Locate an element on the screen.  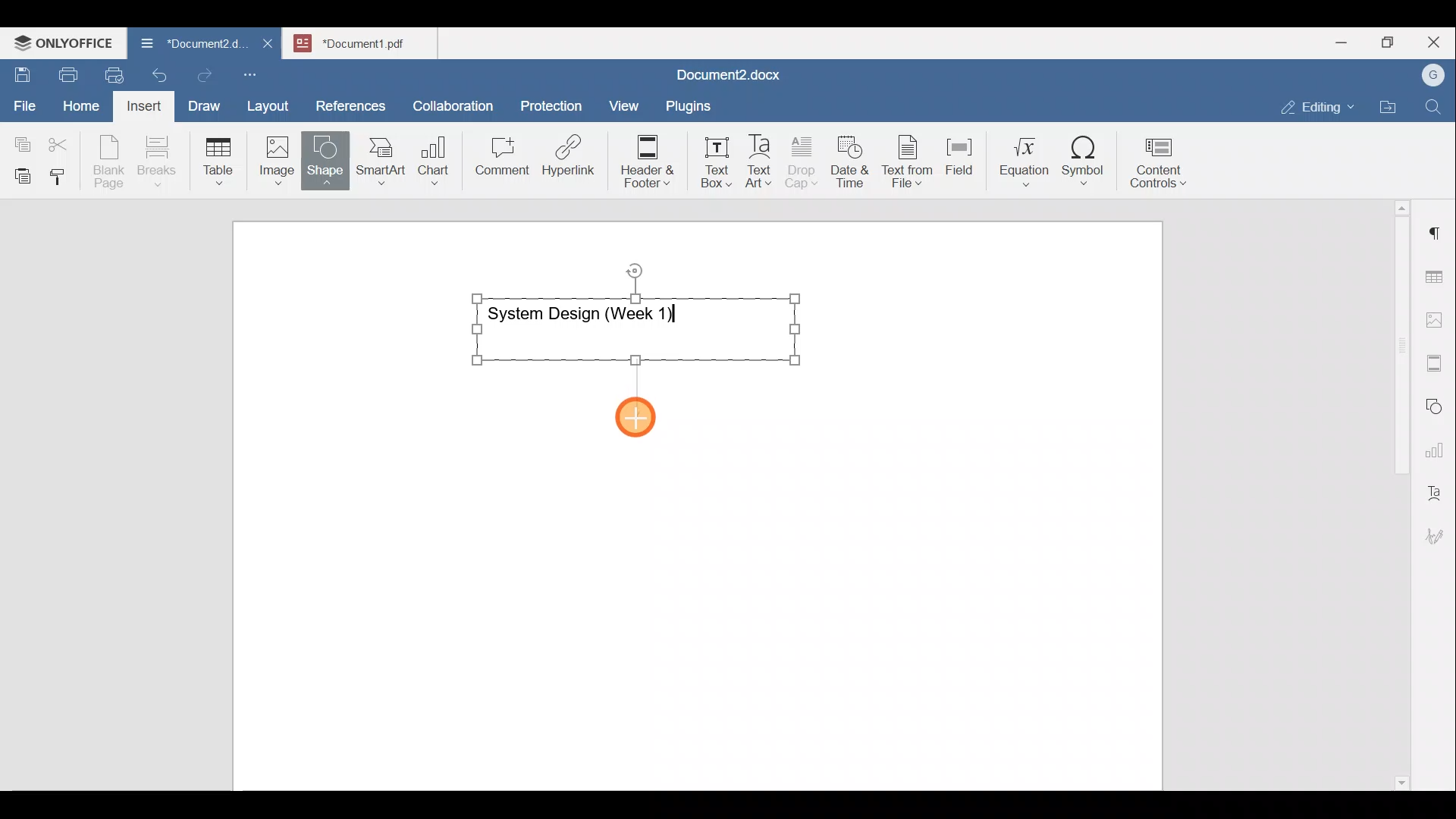
References is located at coordinates (350, 104).